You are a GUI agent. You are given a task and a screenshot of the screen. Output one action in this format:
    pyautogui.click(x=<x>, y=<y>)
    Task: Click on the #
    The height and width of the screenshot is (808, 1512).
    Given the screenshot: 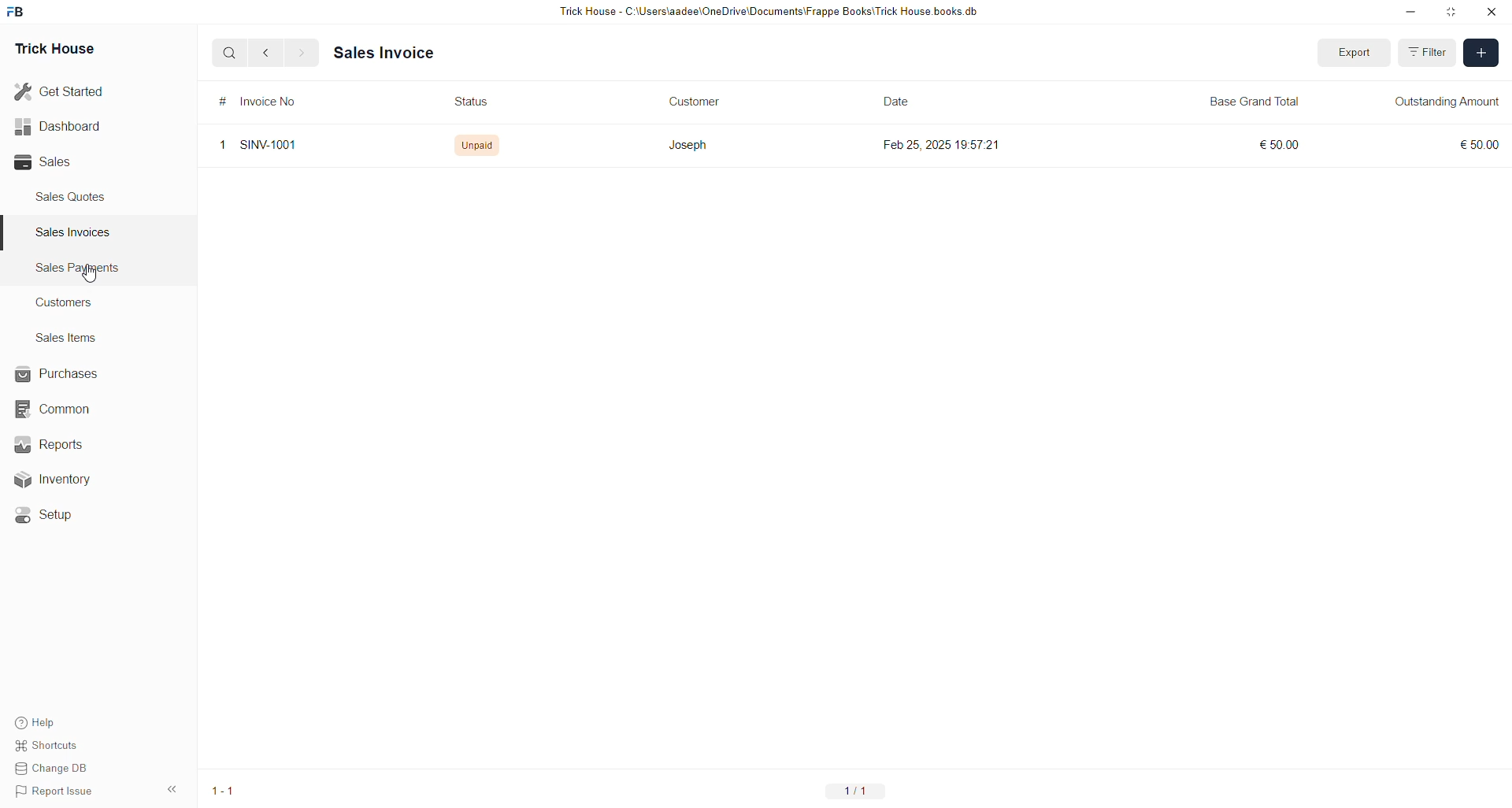 What is the action you would take?
    pyautogui.click(x=222, y=101)
    